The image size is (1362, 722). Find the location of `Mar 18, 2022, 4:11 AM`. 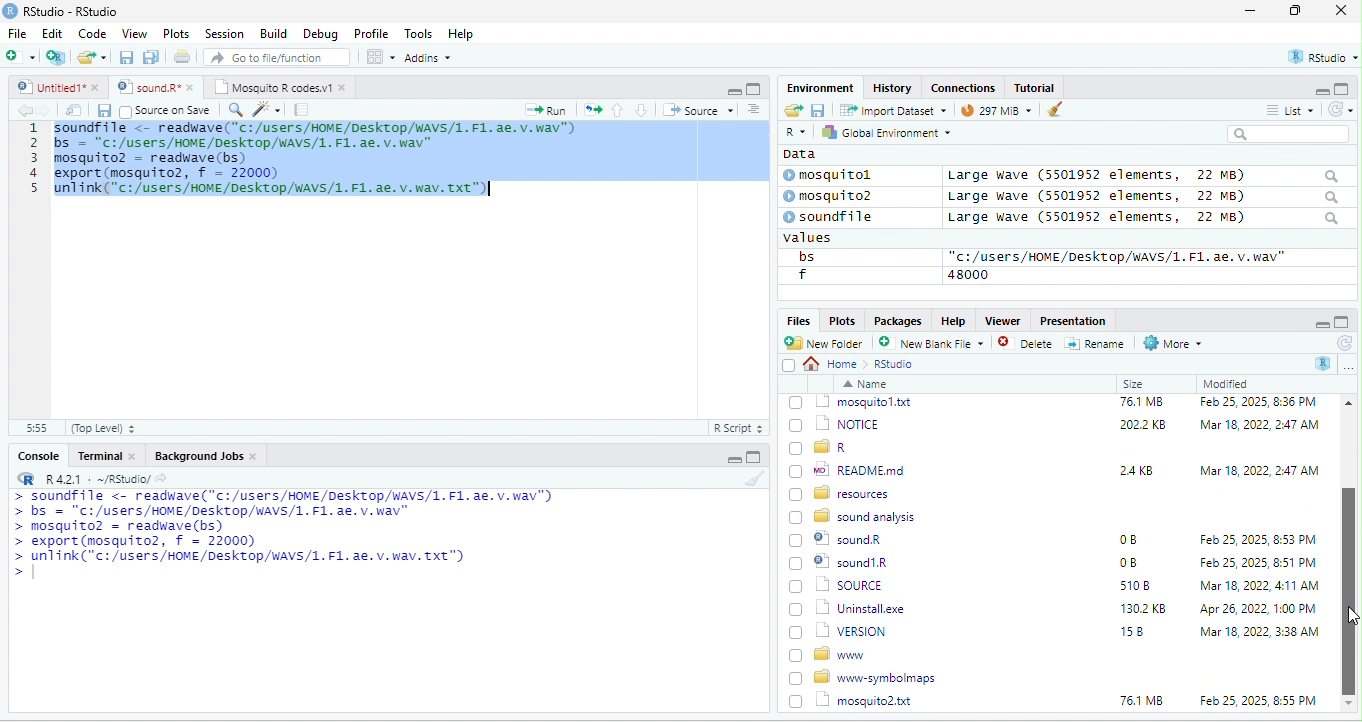

Mar 18, 2022, 4:11 AM is located at coordinates (1258, 681).